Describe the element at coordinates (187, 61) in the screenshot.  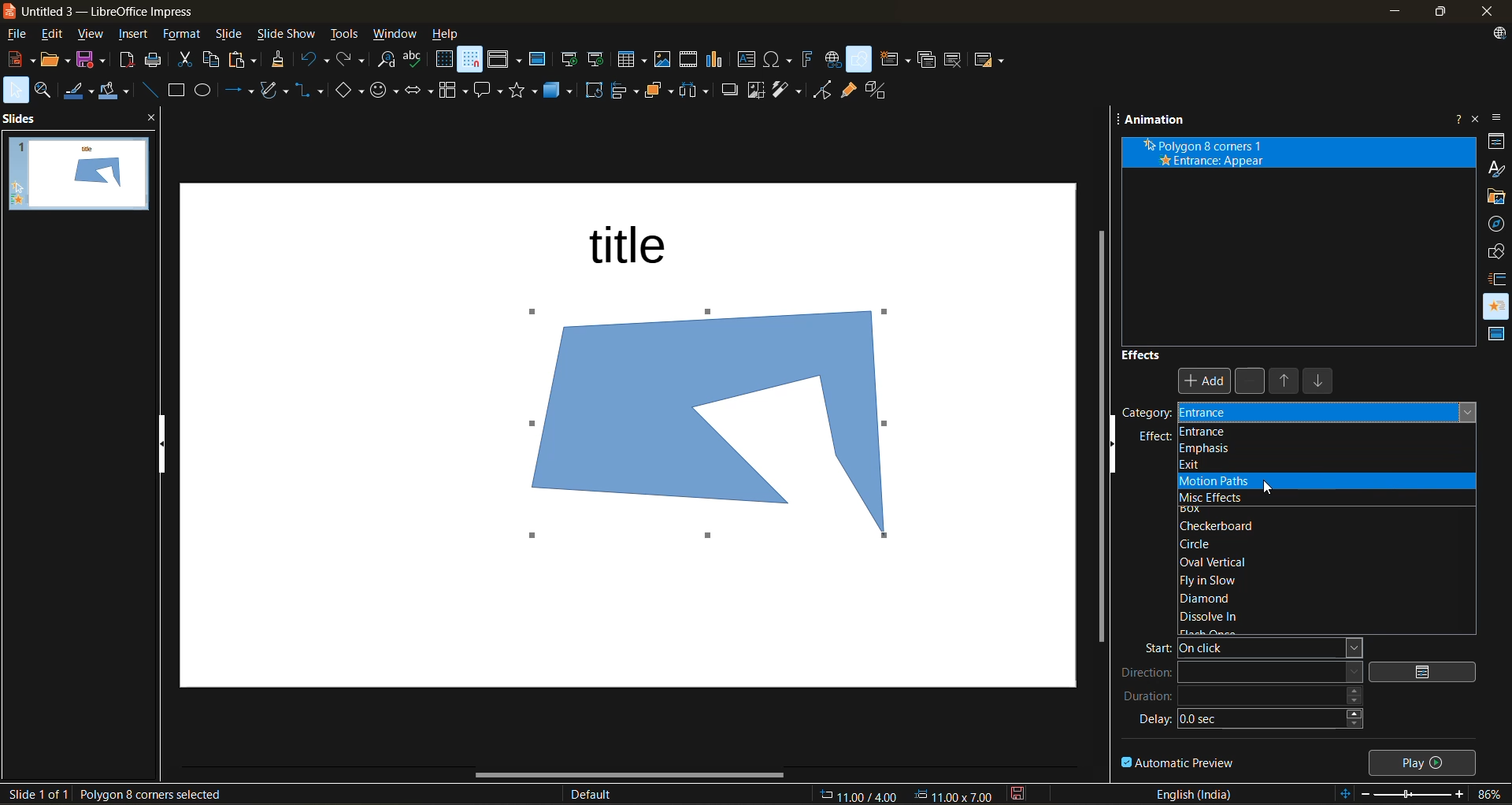
I see `cut` at that location.